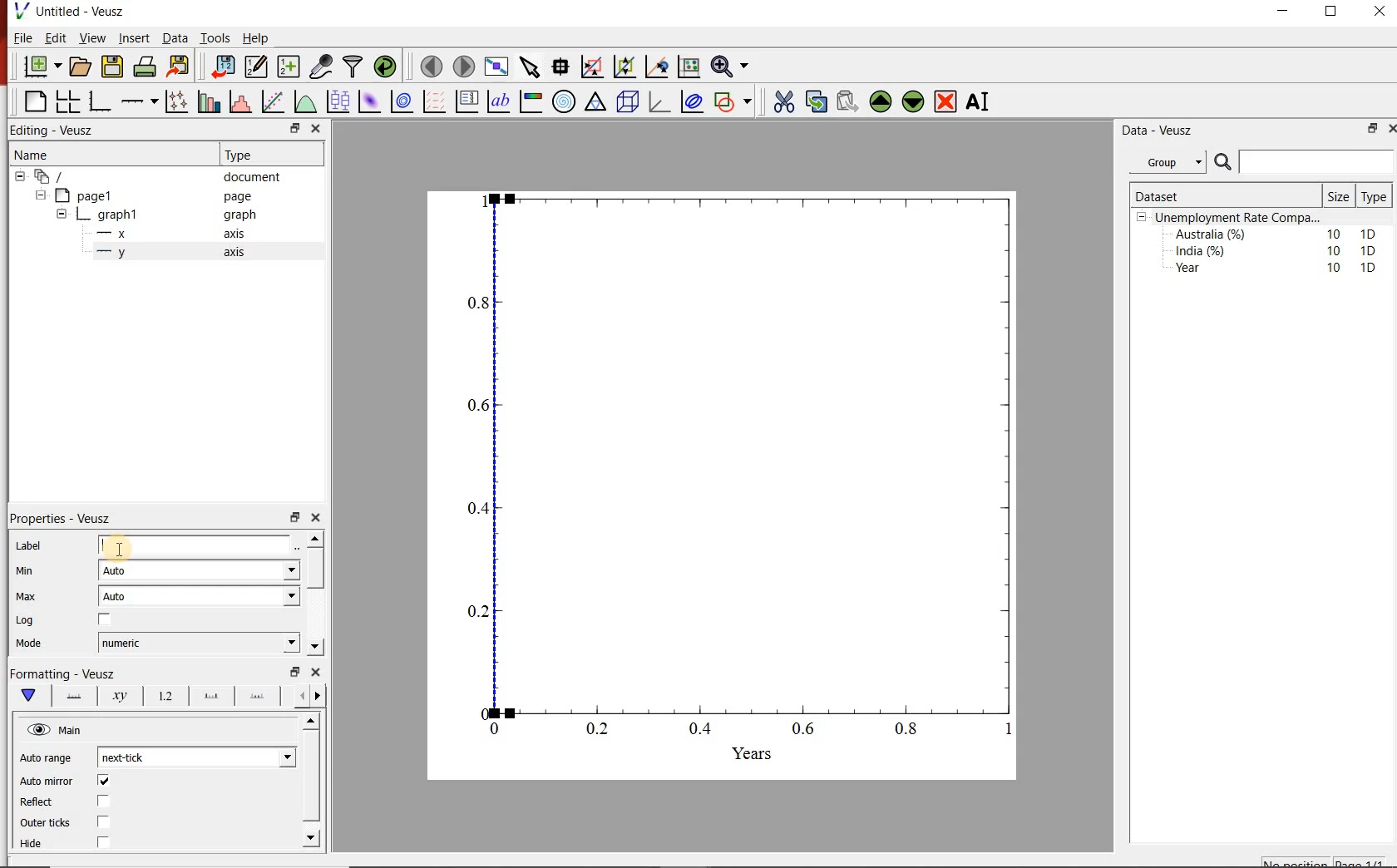 This screenshot has height=868, width=1397. I want to click on Data, so click(175, 38).